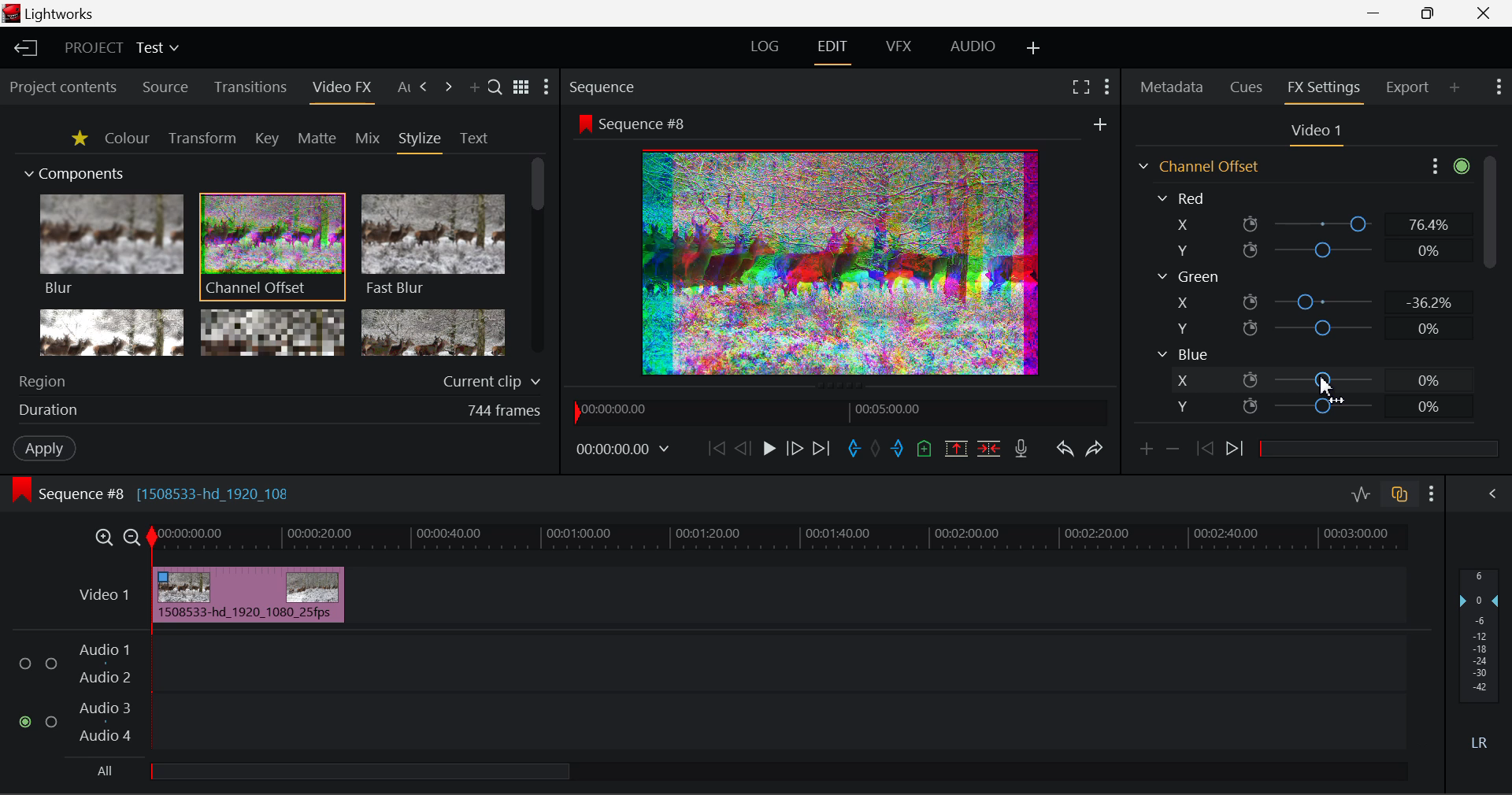  What do you see at coordinates (1314, 379) in the screenshot?
I see `Blue X` at bounding box center [1314, 379].